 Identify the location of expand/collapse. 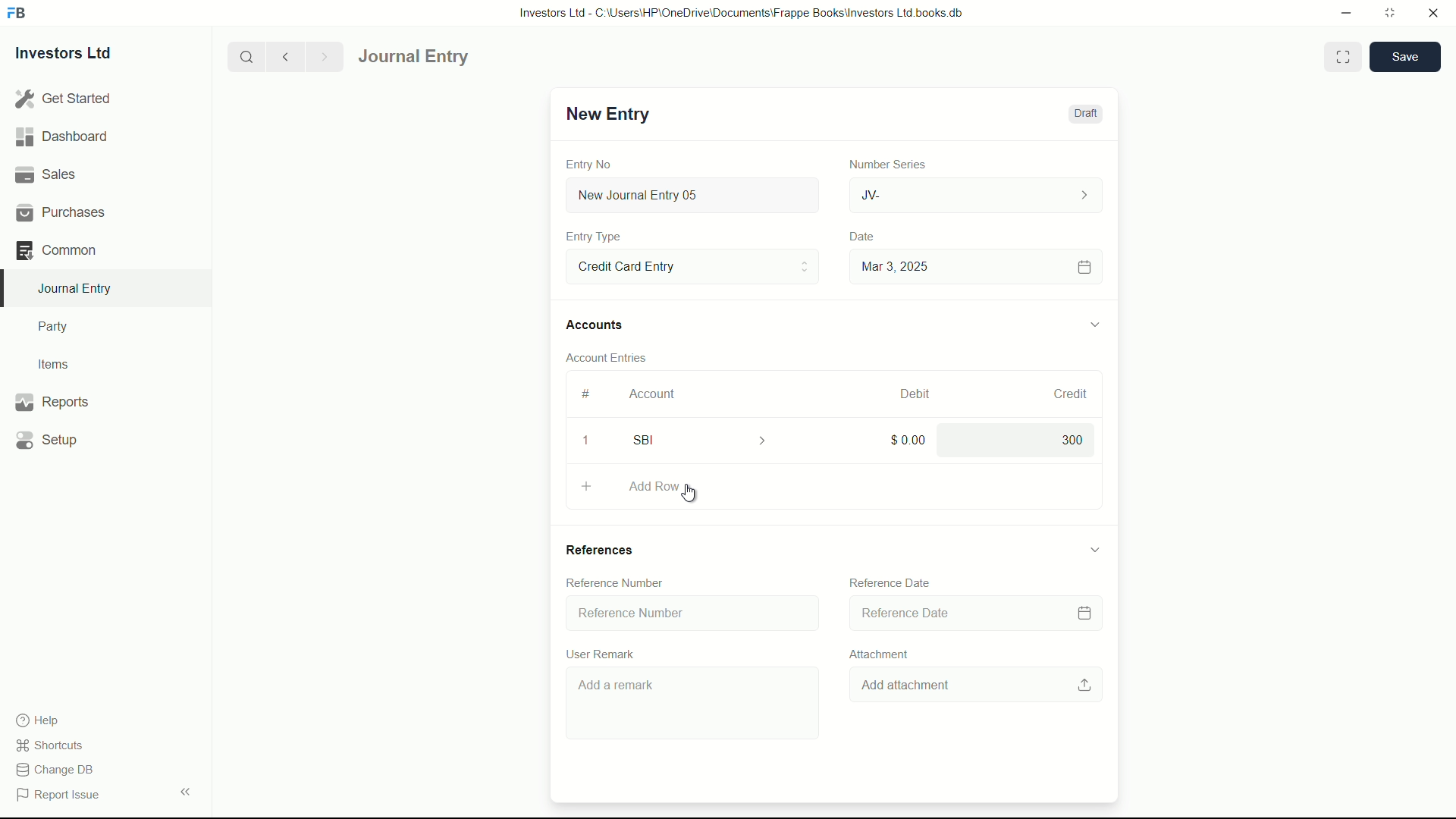
(1094, 322).